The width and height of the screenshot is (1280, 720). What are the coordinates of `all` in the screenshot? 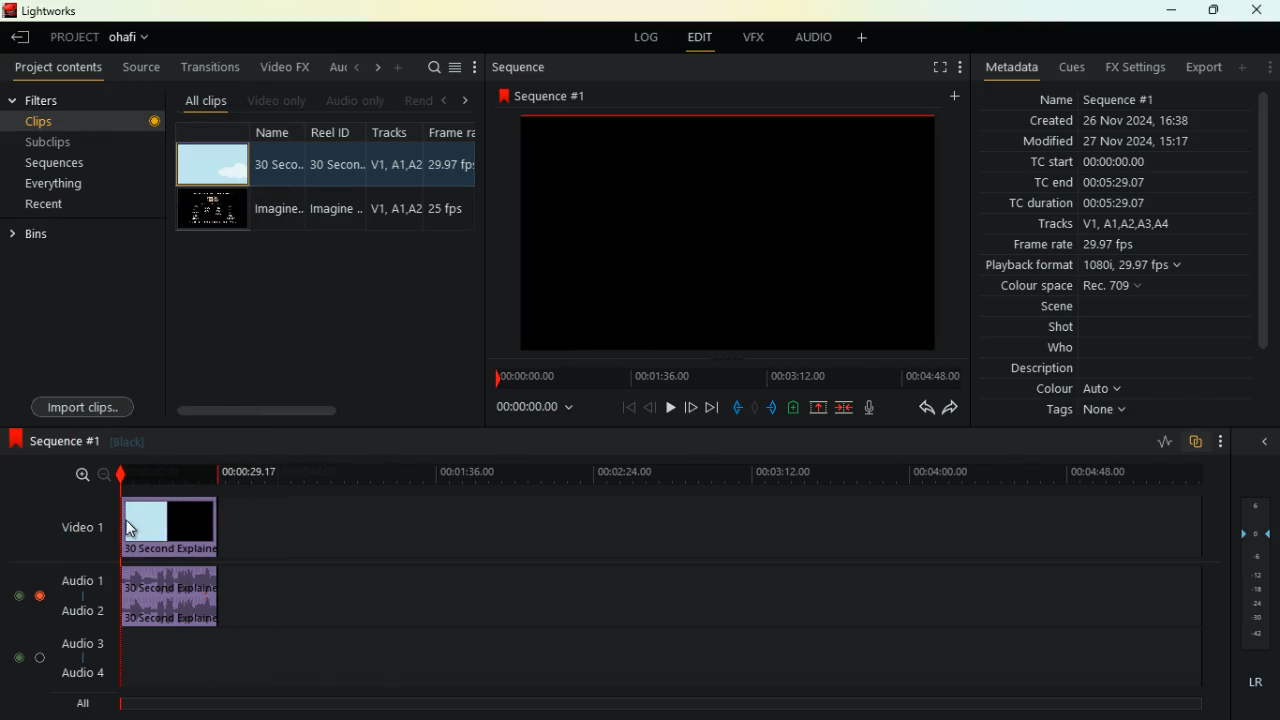 It's located at (86, 706).